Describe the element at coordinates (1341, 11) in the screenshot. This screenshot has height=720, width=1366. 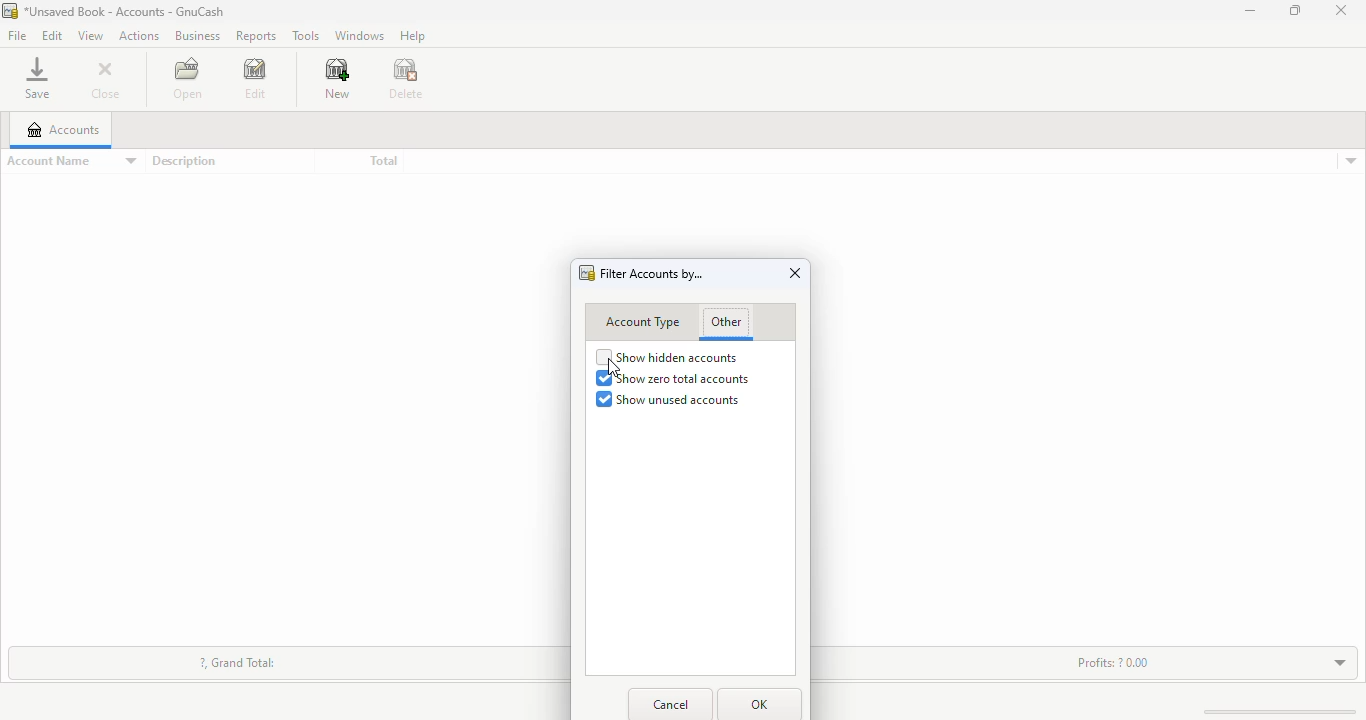
I see `close` at that location.